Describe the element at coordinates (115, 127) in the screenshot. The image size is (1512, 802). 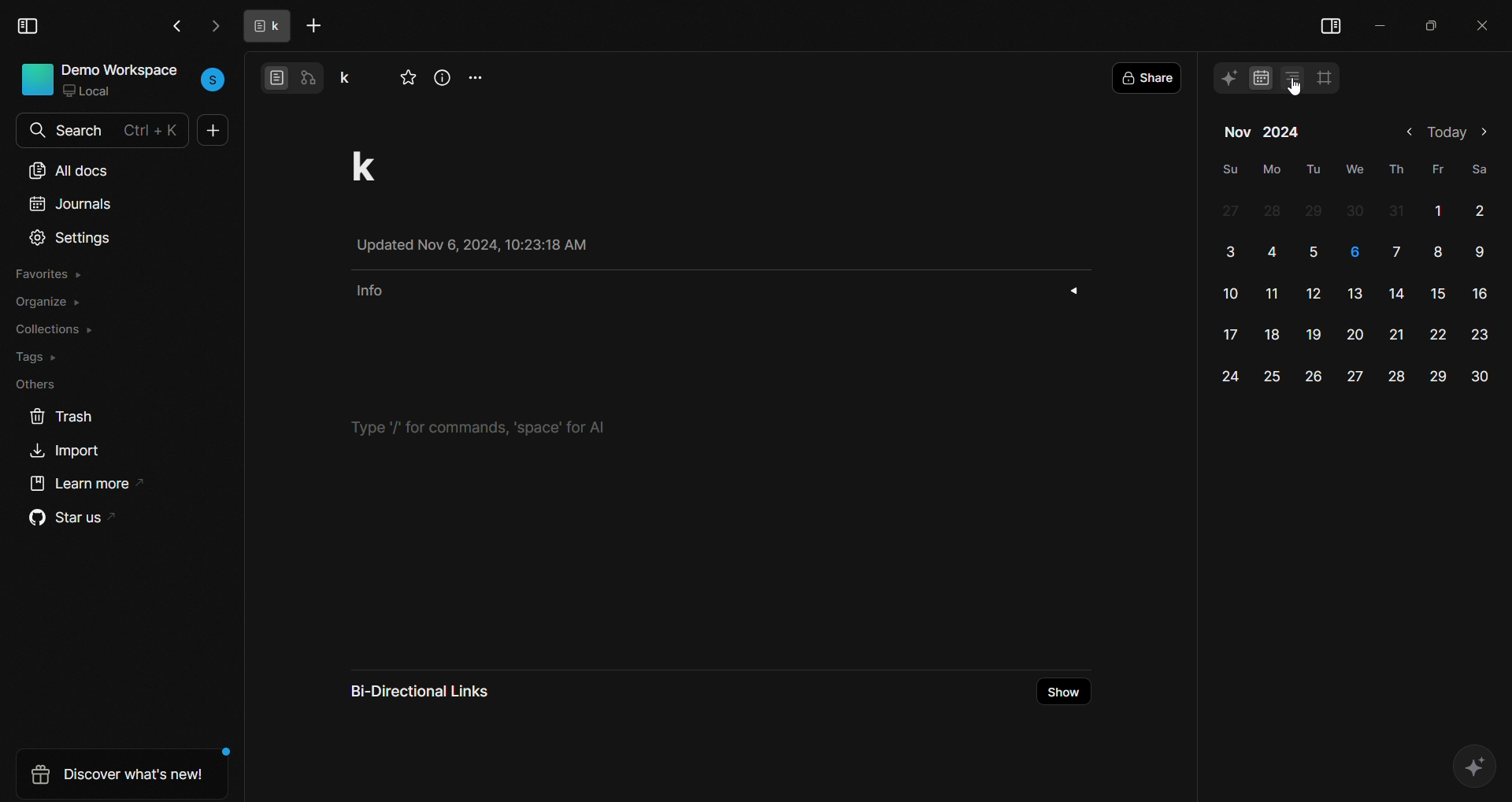
I see `search bar` at that location.